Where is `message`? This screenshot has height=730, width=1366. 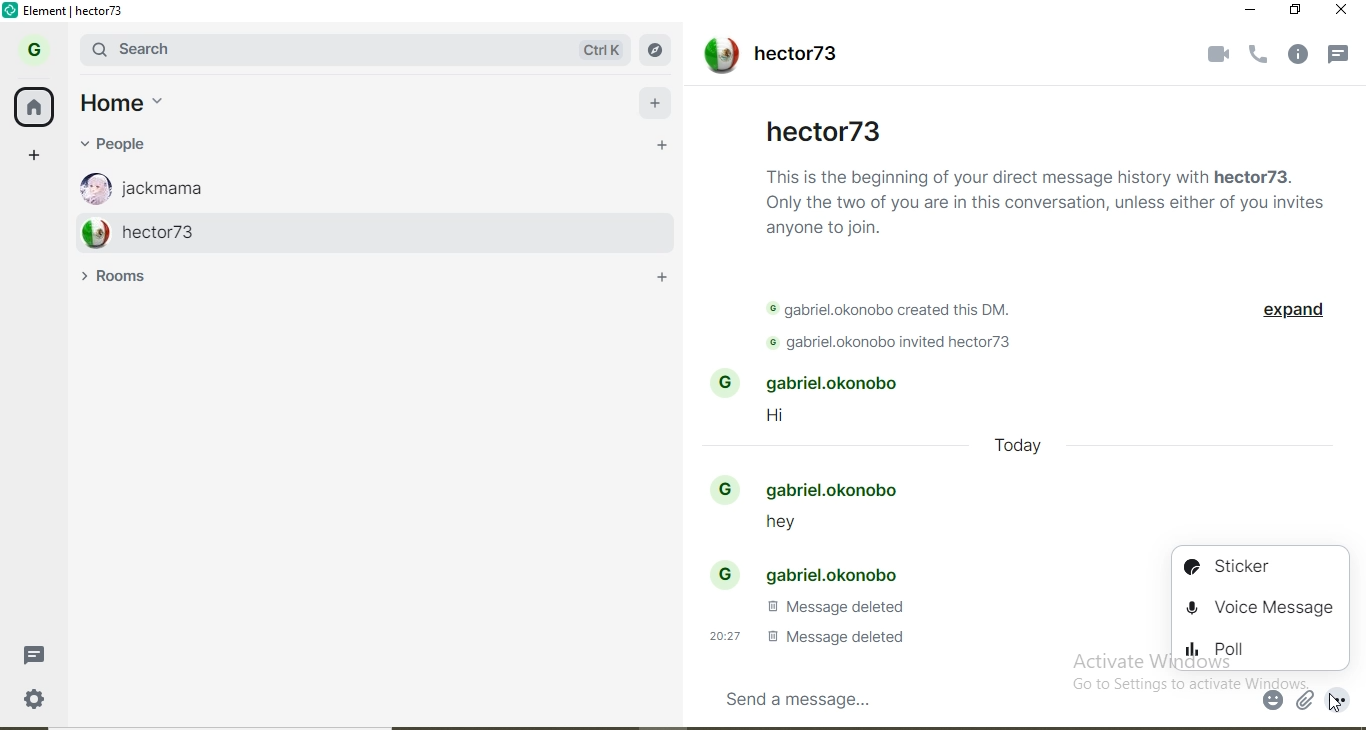
message is located at coordinates (42, 654).